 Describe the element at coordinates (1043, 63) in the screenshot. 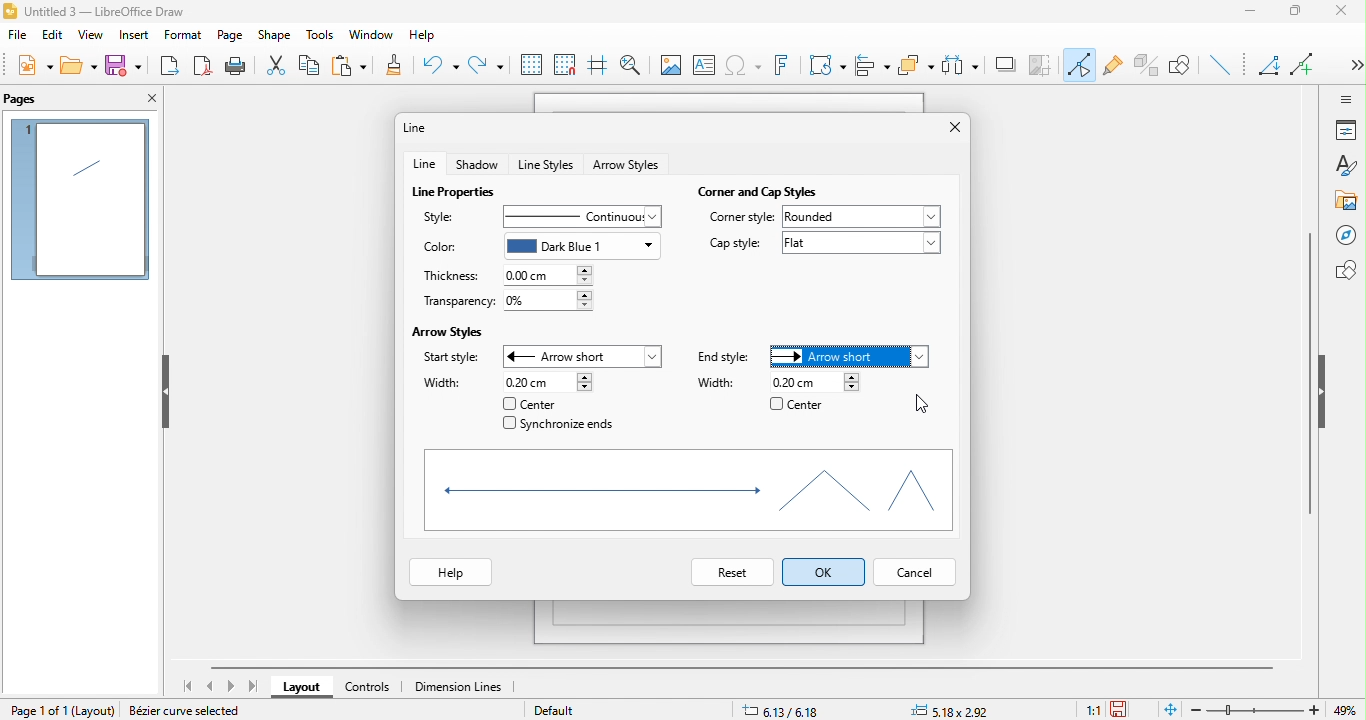

I see `crop image` at that location.